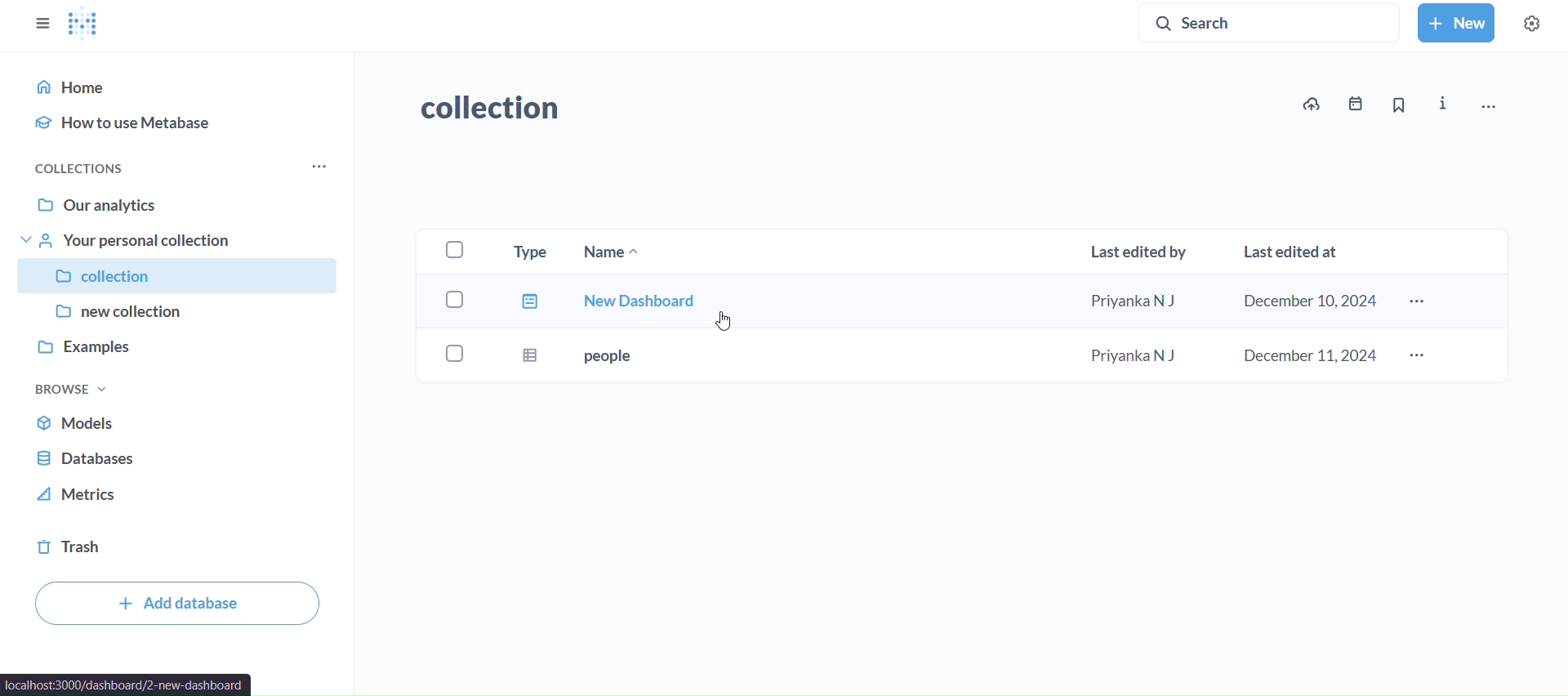 Image resolution: width=1568 pixels, height=696 pixels. What do you see at coordinates (180, 276) in the screenshot?
I see `collection` at bounding box center [180, 276].